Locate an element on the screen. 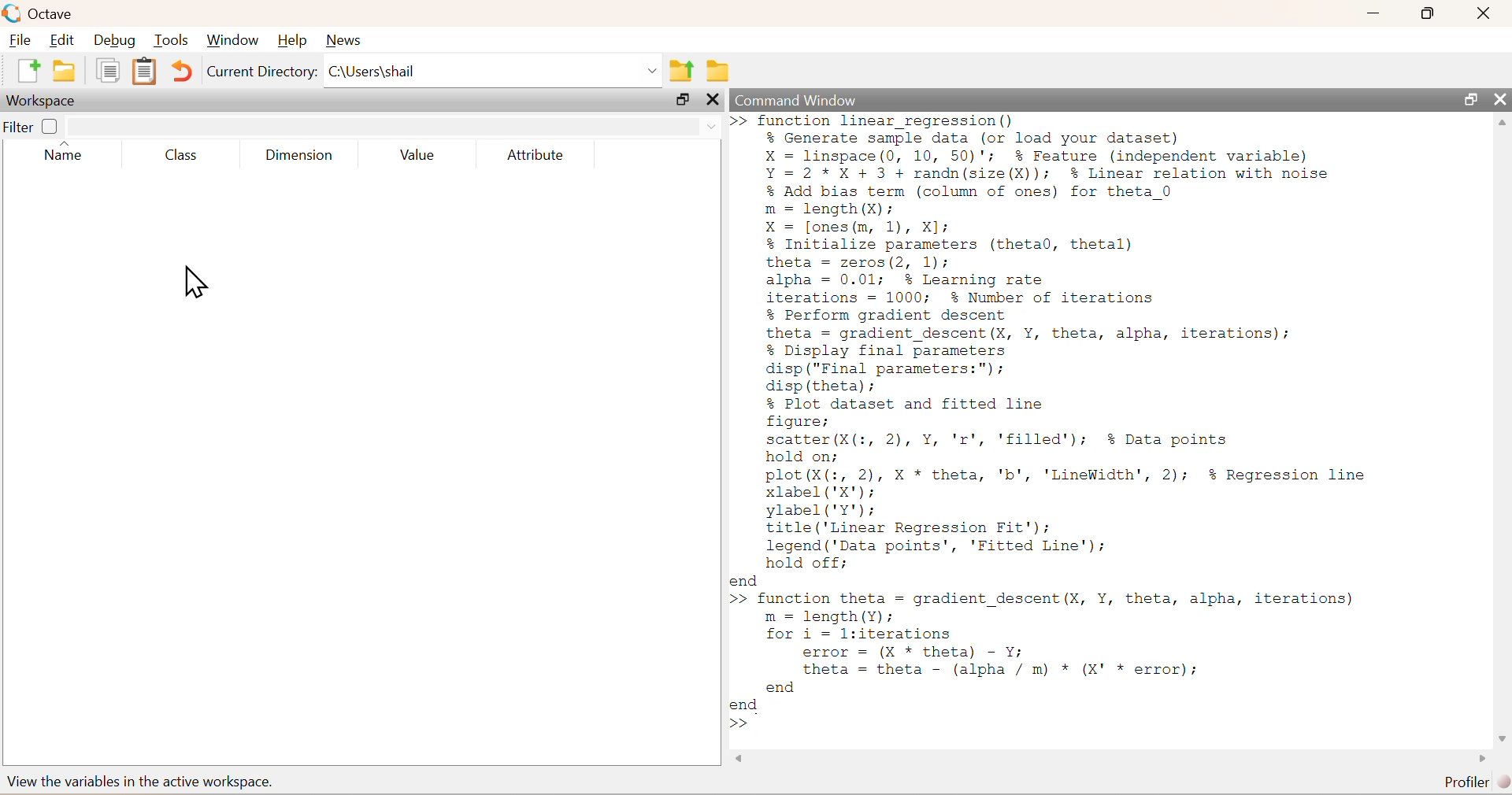  scroll up is located at coordinates (1502, 121).